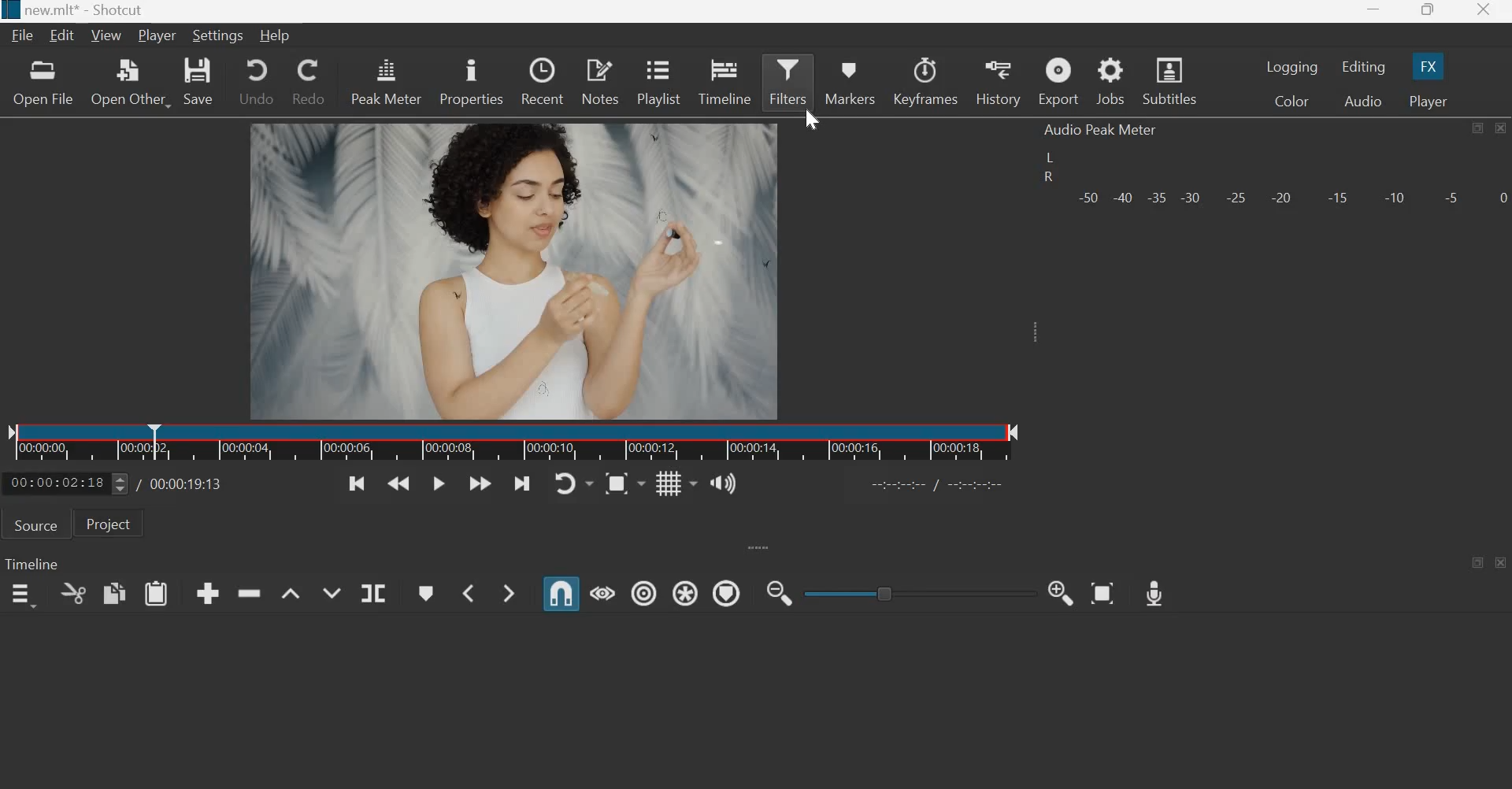 Image resolution: width=1512 pixels, height=789 pixels. I want to click on Left, so click(1049, 157).